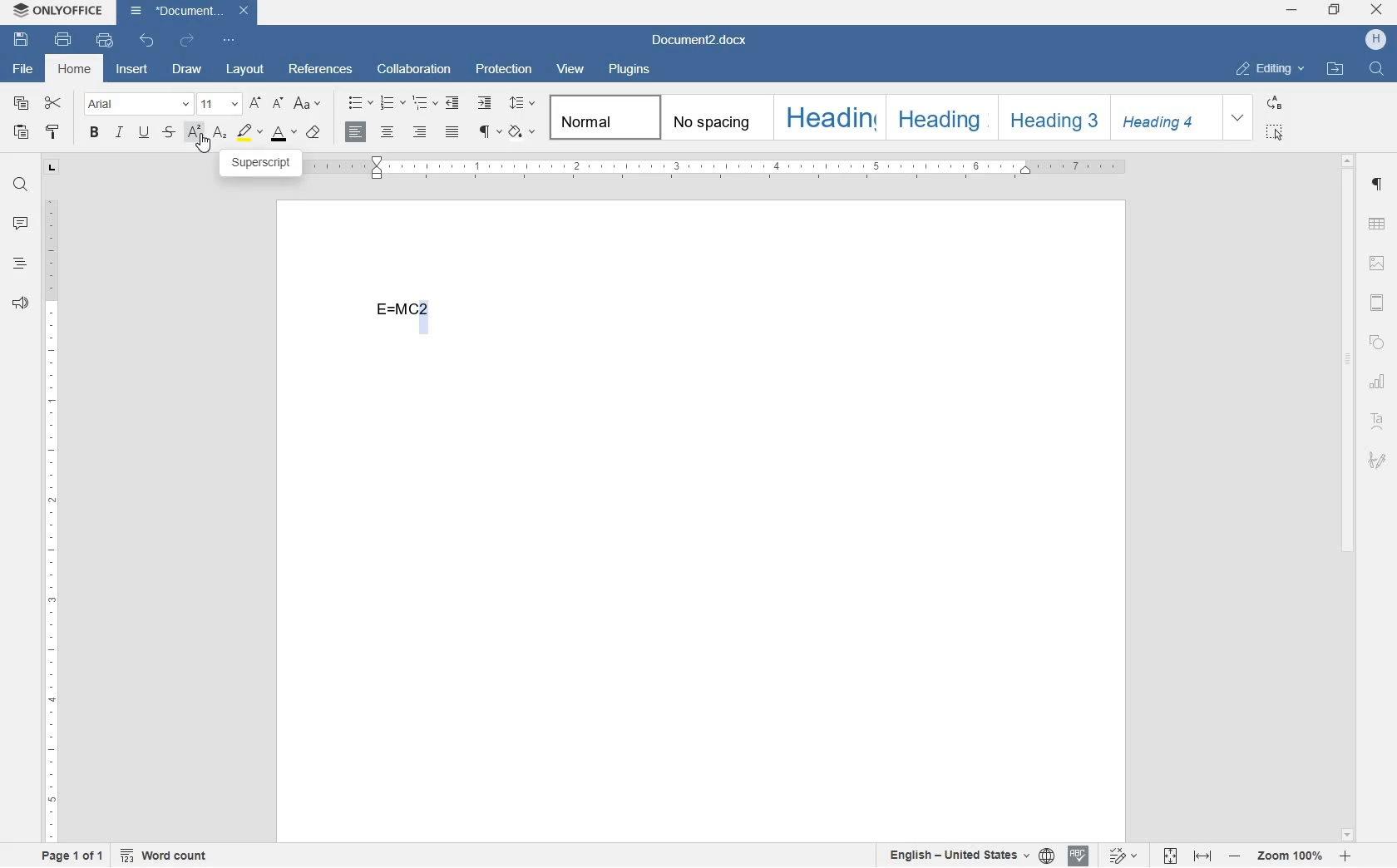 This screenshot has height=868, width=1397. Describe the element at coordinates (1380, 384) in the screenshot. I see `chart` at that location.